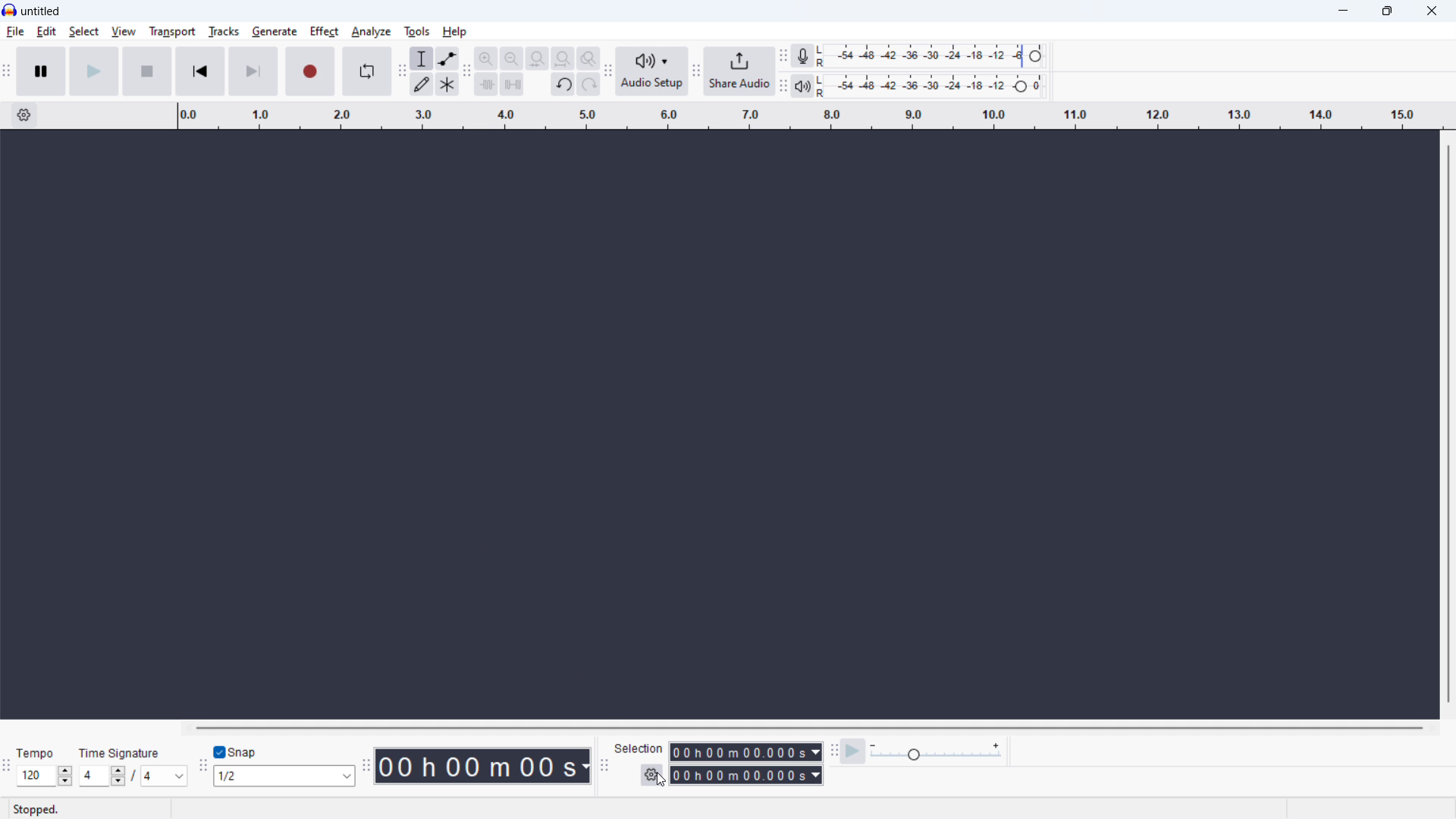  I want to click on tools, so click(417, 32).